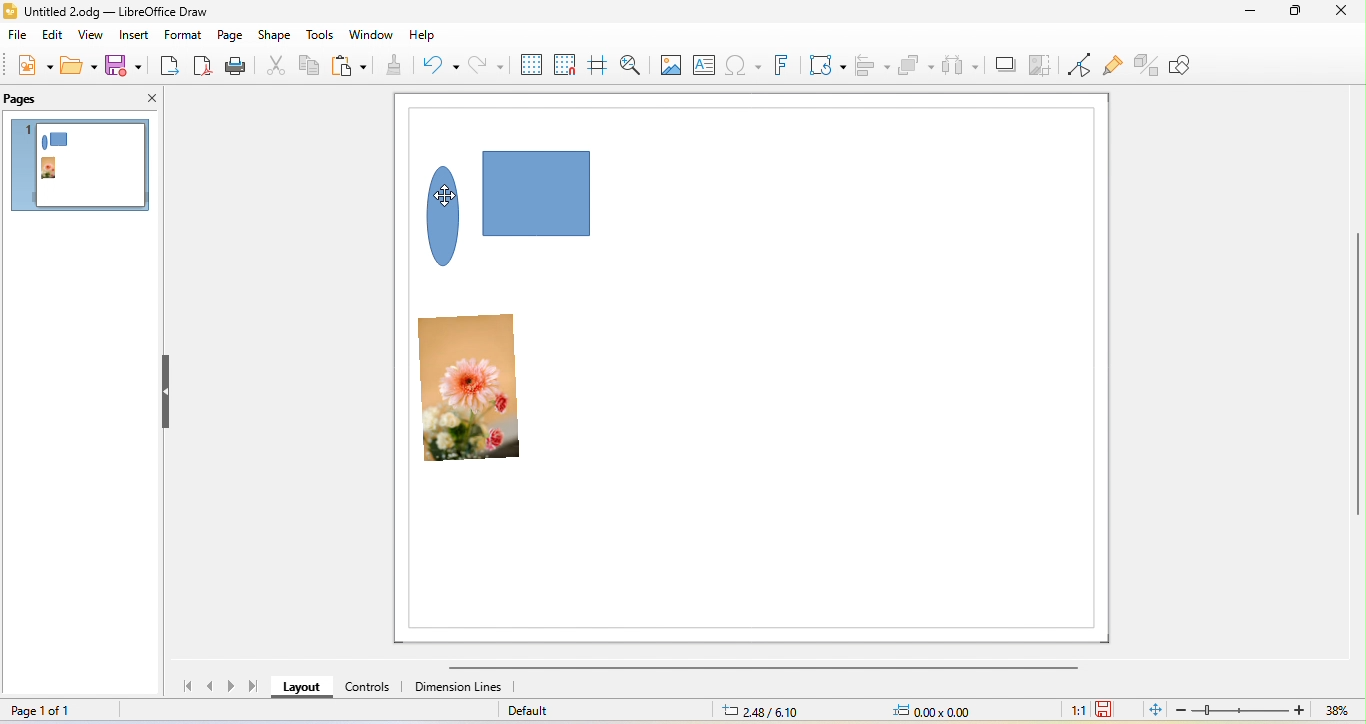 This screenshot has height=724, width=1366. I want to click on insert, so click(135, 37).